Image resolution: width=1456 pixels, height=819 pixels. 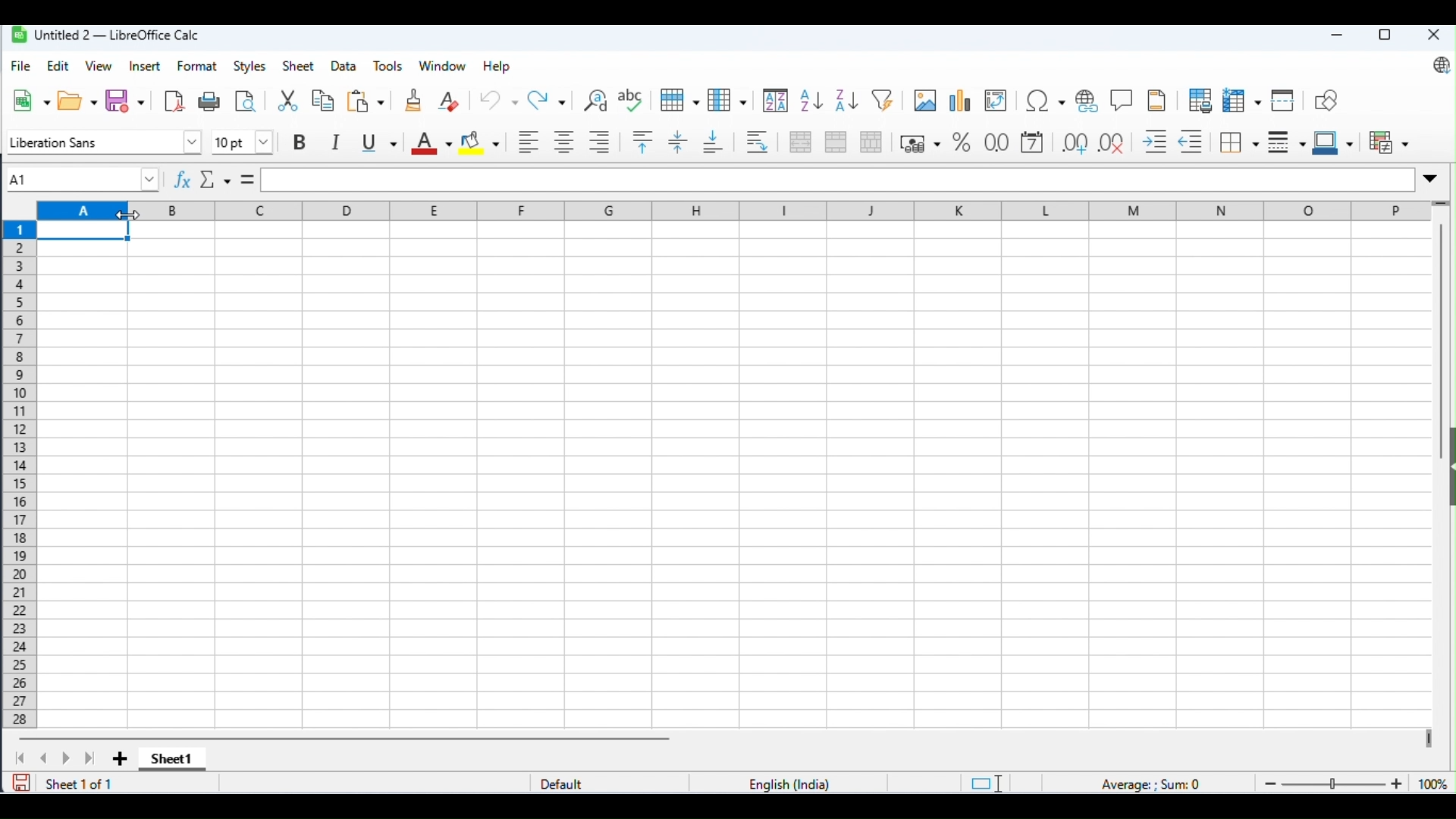 I want to click on close, so click(x=1432, y=35).